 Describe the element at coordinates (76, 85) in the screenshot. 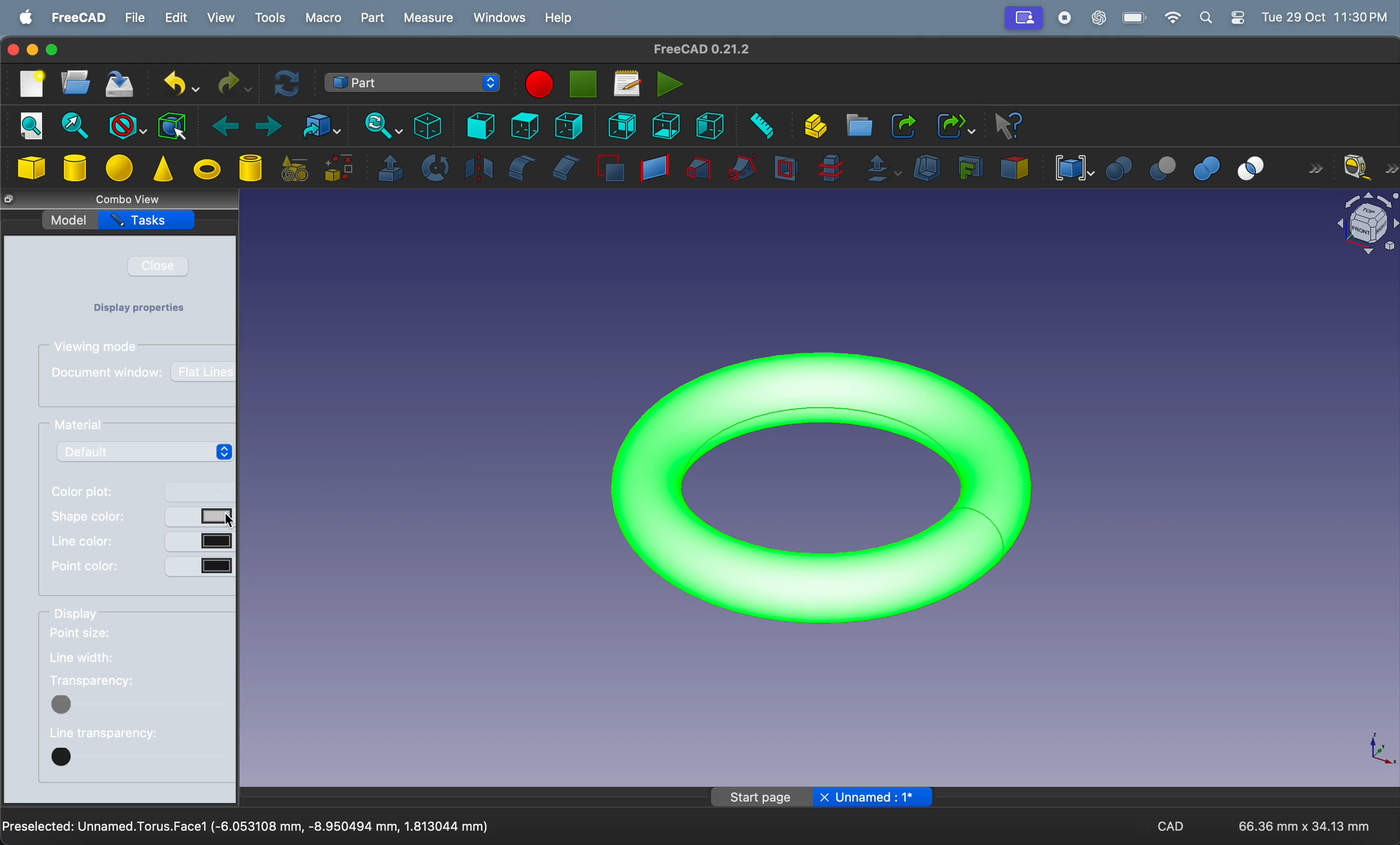

I see `open` at that location.